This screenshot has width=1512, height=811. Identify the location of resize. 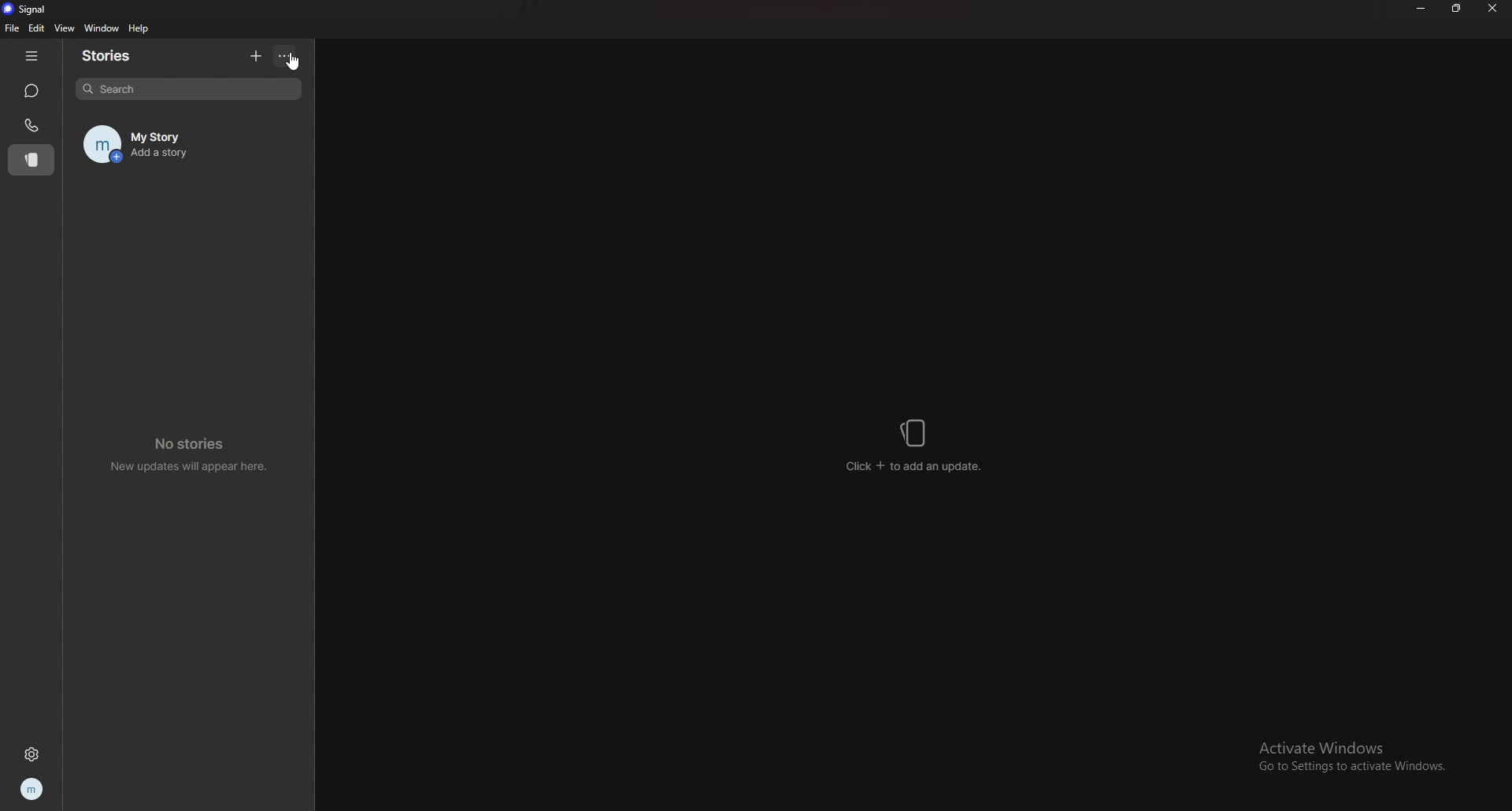
(1456, 9).